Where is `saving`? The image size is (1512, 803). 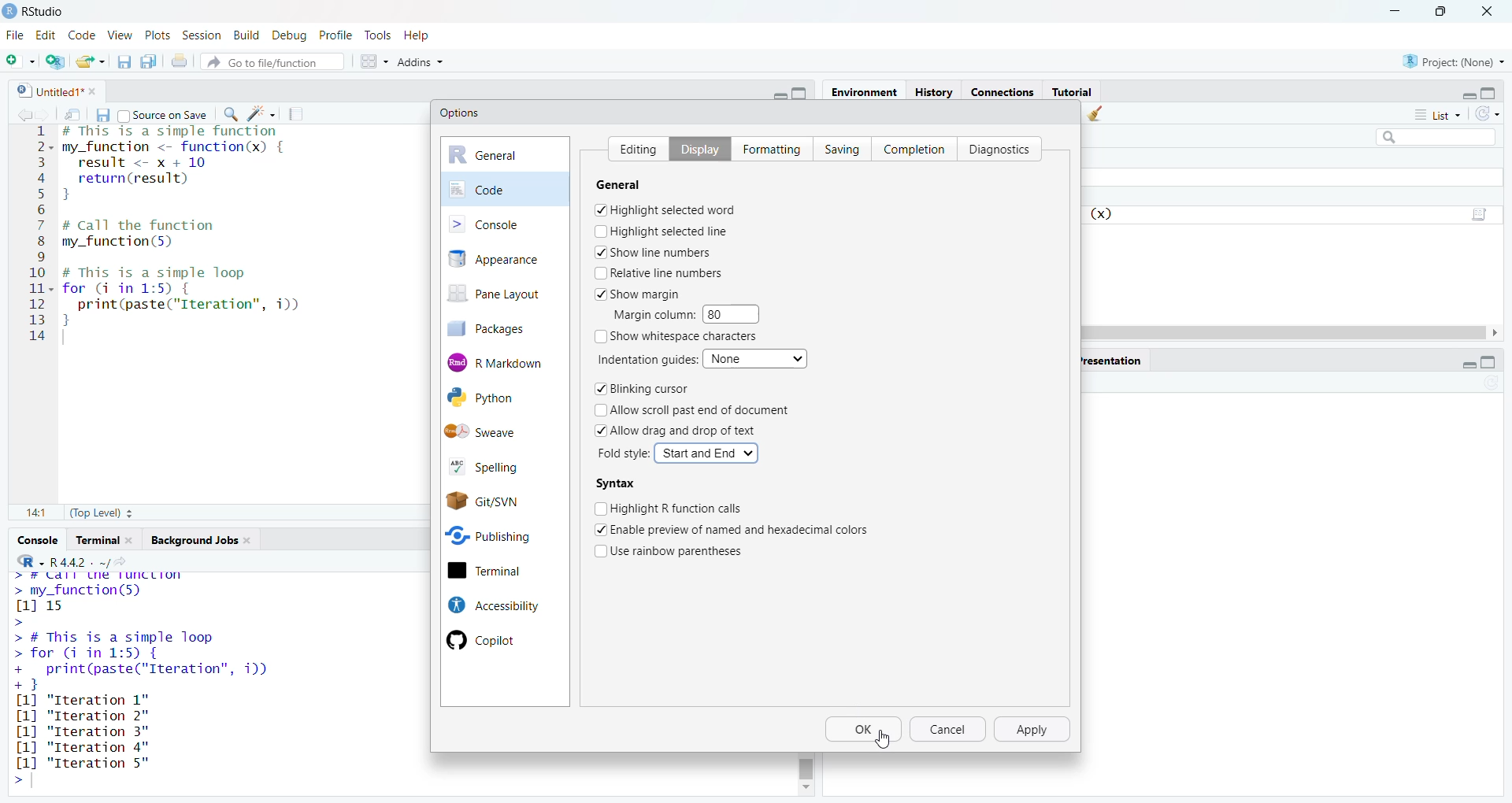
saving is located at coordinates (836, 148).